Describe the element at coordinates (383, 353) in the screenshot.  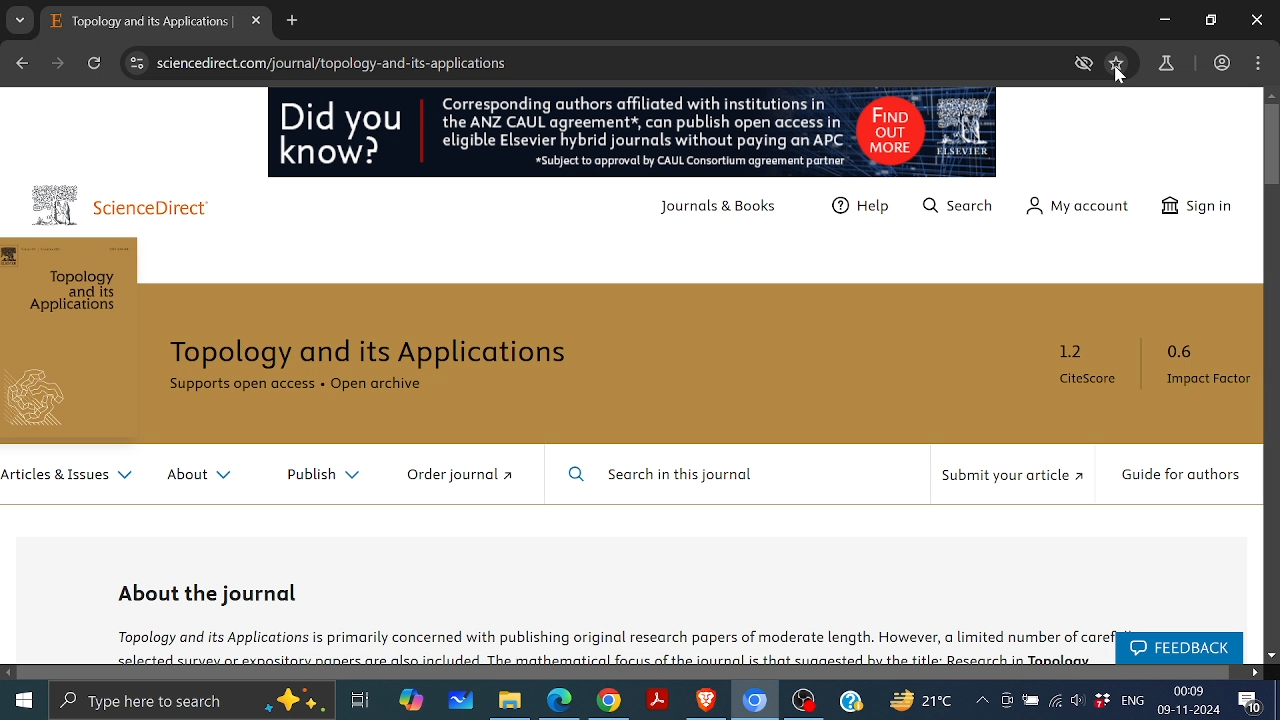
I see `Topology and its Applications` at that location.